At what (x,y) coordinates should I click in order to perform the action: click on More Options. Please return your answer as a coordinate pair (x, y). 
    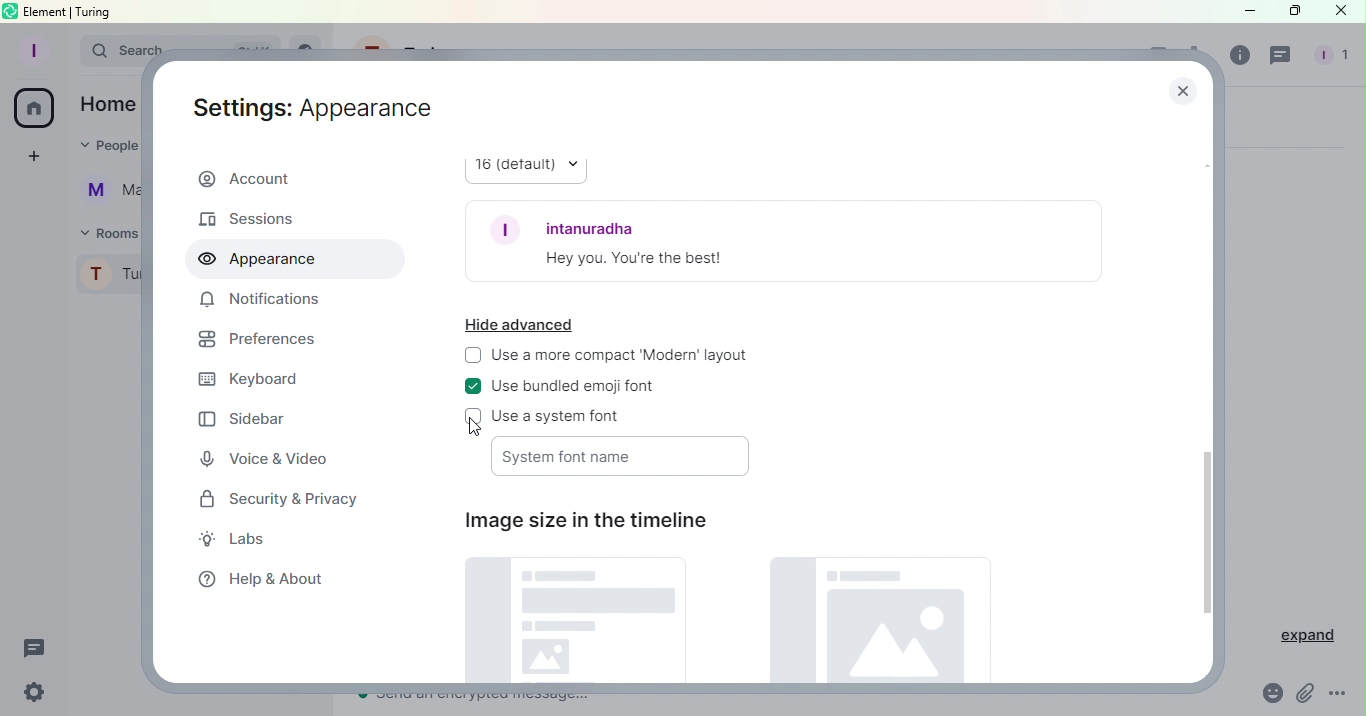
    Looking at the image, I should click on (1341, 696).